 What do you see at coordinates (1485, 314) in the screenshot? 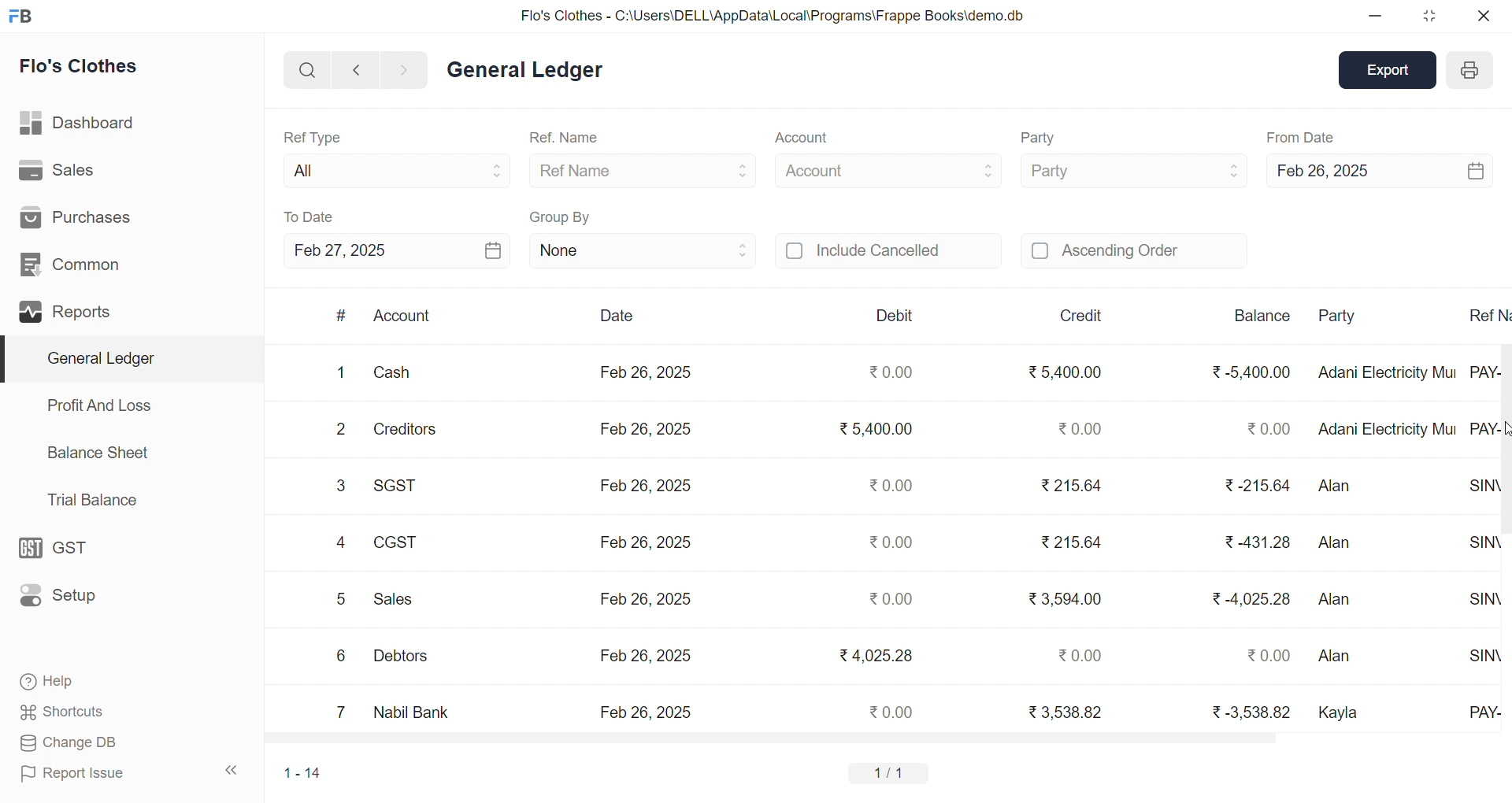
I see `Ref N..` at bounding box center [1485, 314].